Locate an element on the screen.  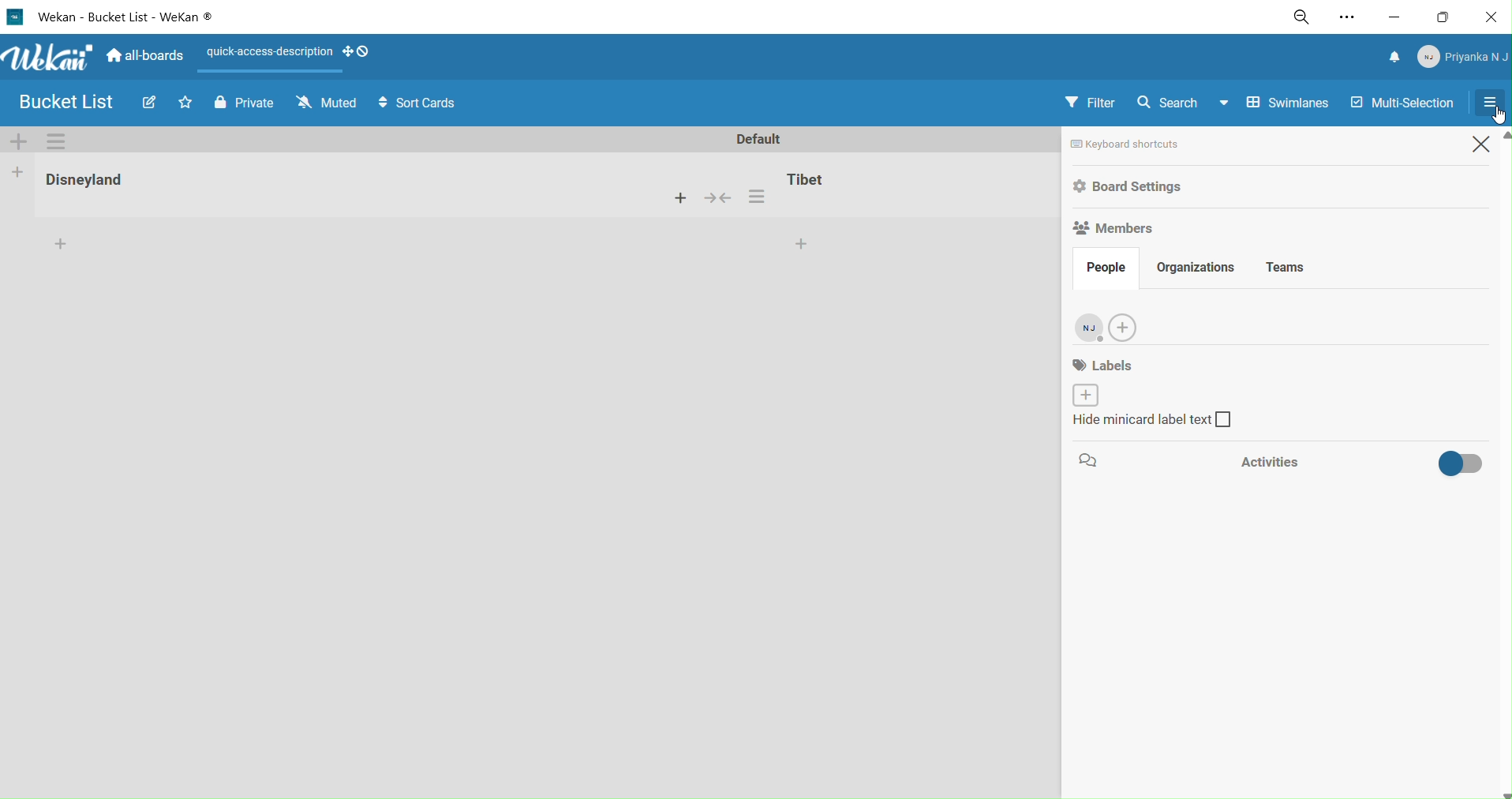
swimlane actions is located at coordinates (58, 143).